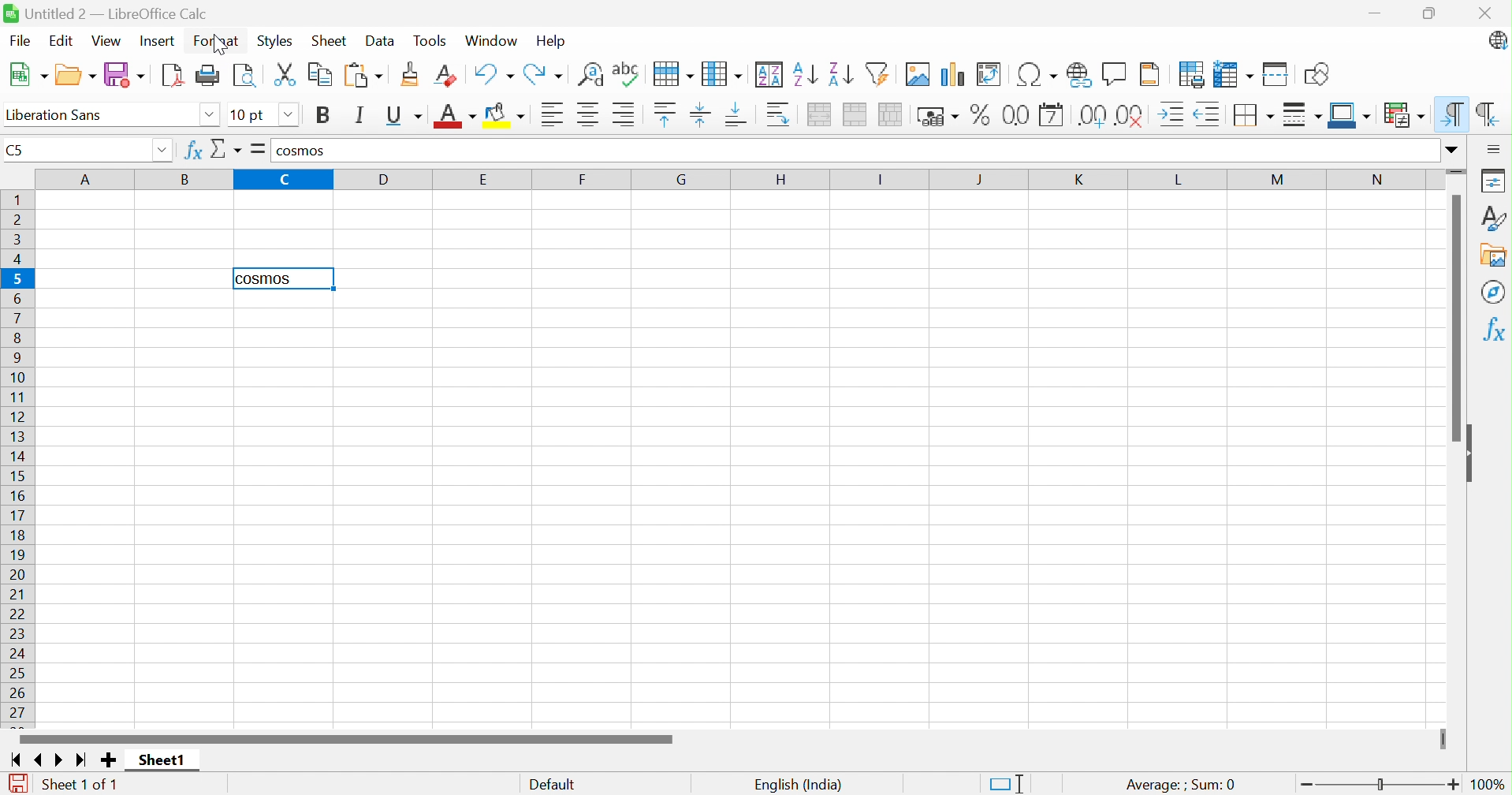  I want to click on LibreOffice update available, so click(1499, 42).